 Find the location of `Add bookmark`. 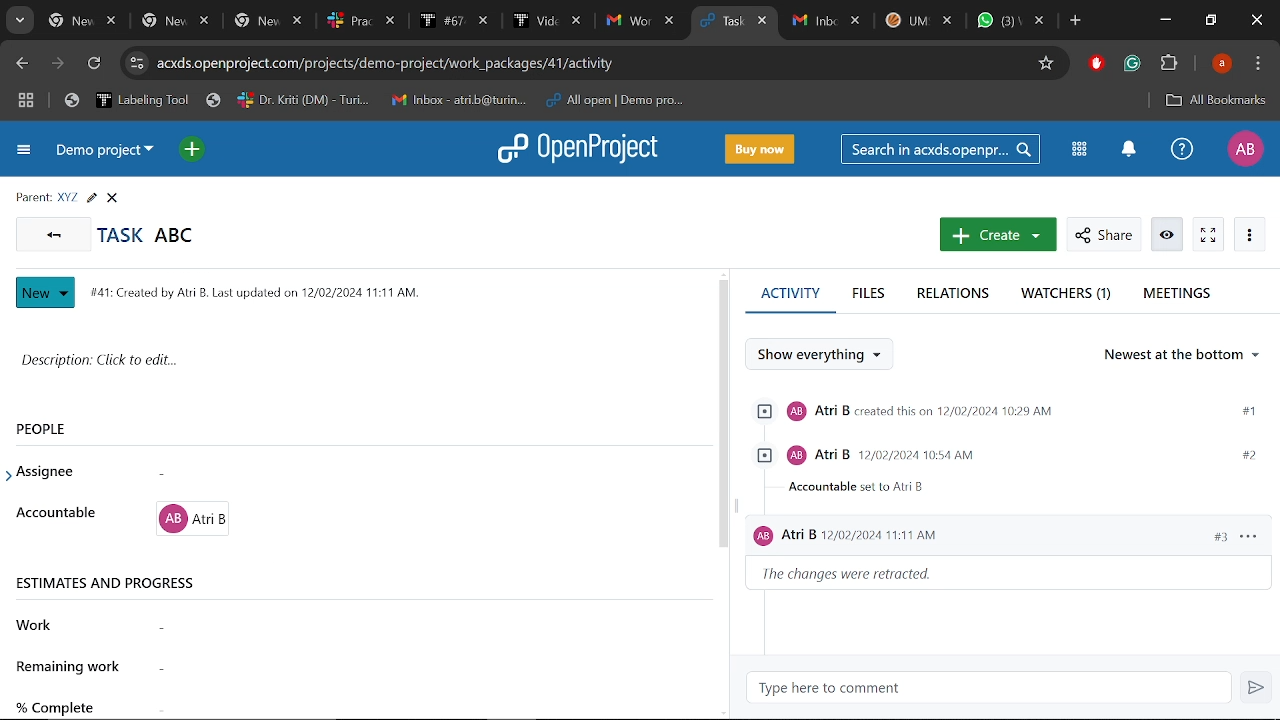

Add bookmark is located at coordinates (1049, 64).